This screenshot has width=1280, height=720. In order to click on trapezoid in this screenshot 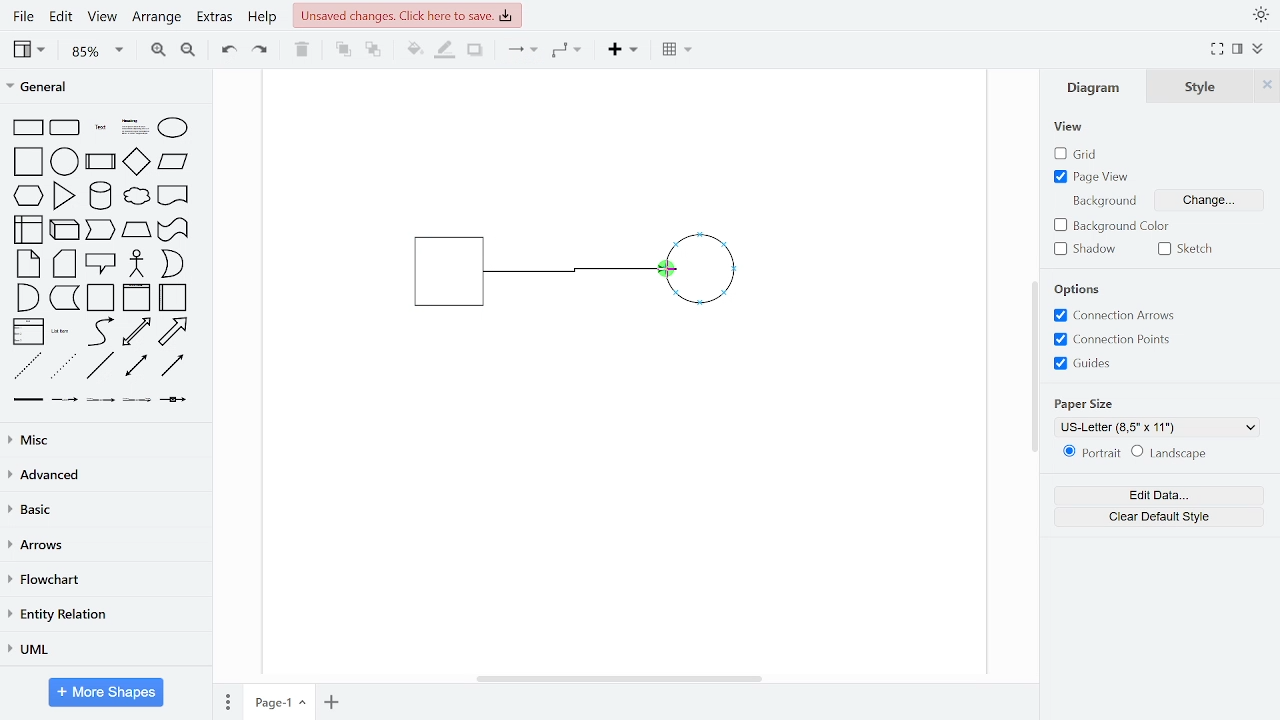, I will do `click(136, 229)`.